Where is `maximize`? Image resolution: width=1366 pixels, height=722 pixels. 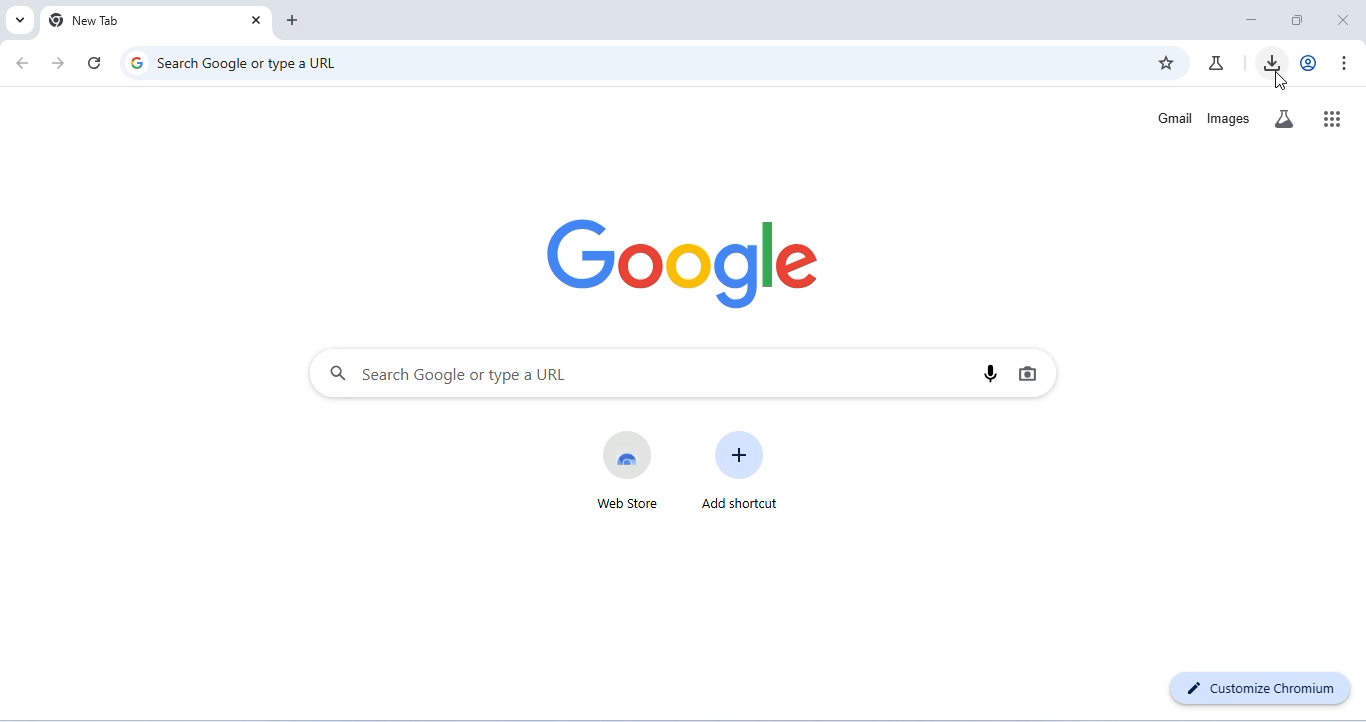
maximize is located at coordinates (1297, 21).